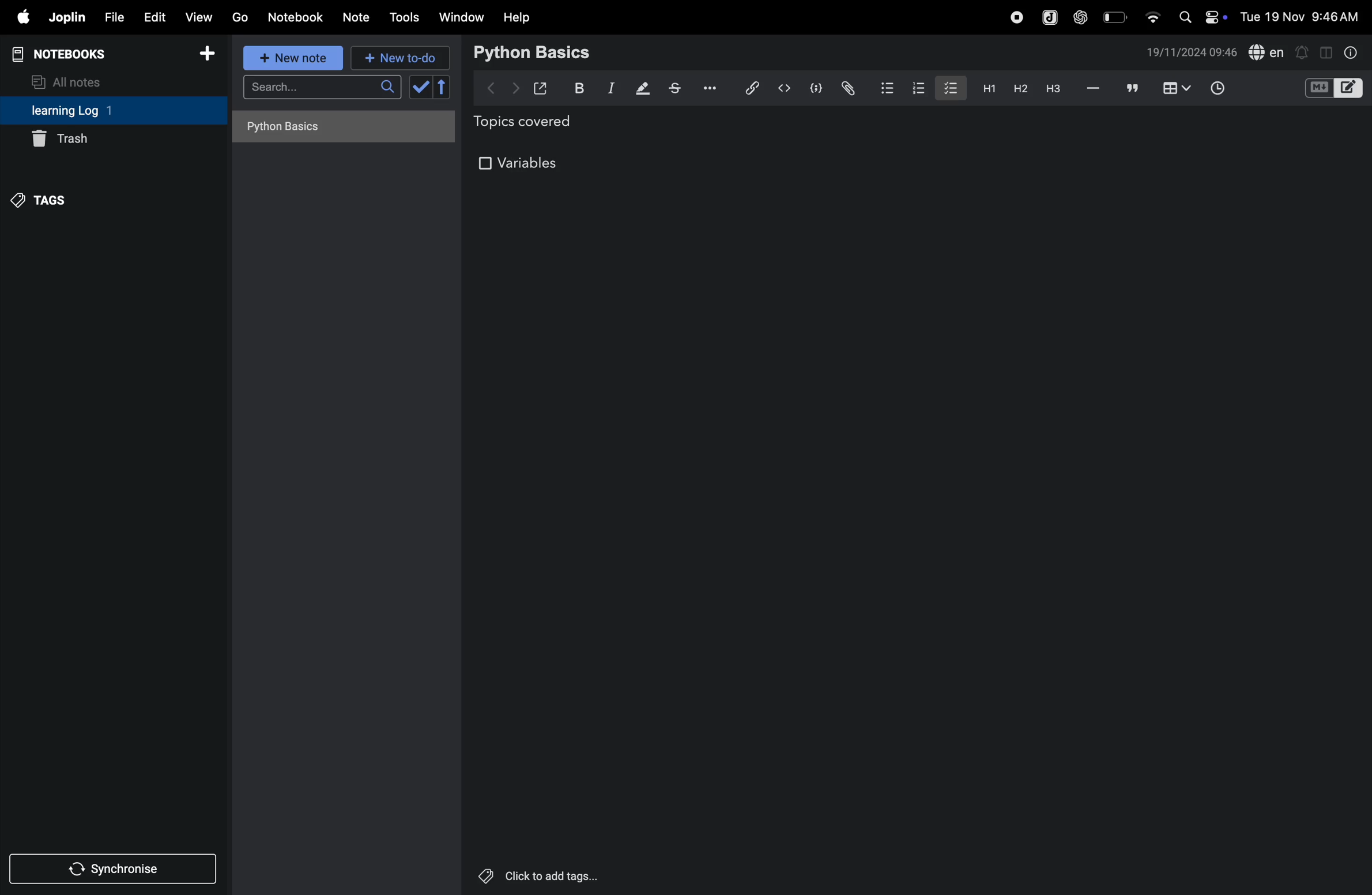  What do you see at coordinates (1016, 16) in the screenshot?
I see `record` at bounding box center [1016, 16].